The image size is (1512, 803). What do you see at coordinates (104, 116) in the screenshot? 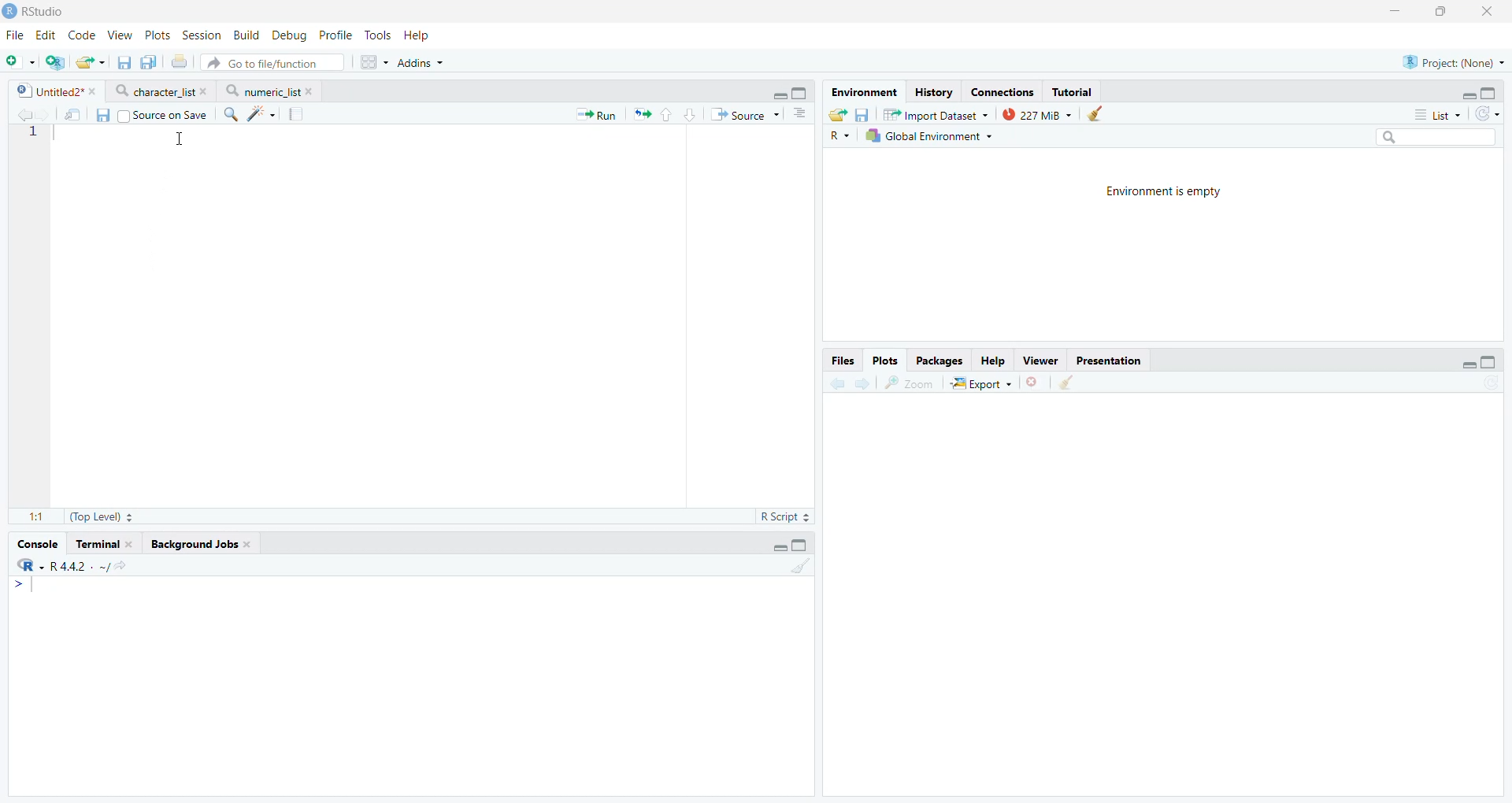
I see `Save` at bounding box center [104, 116].